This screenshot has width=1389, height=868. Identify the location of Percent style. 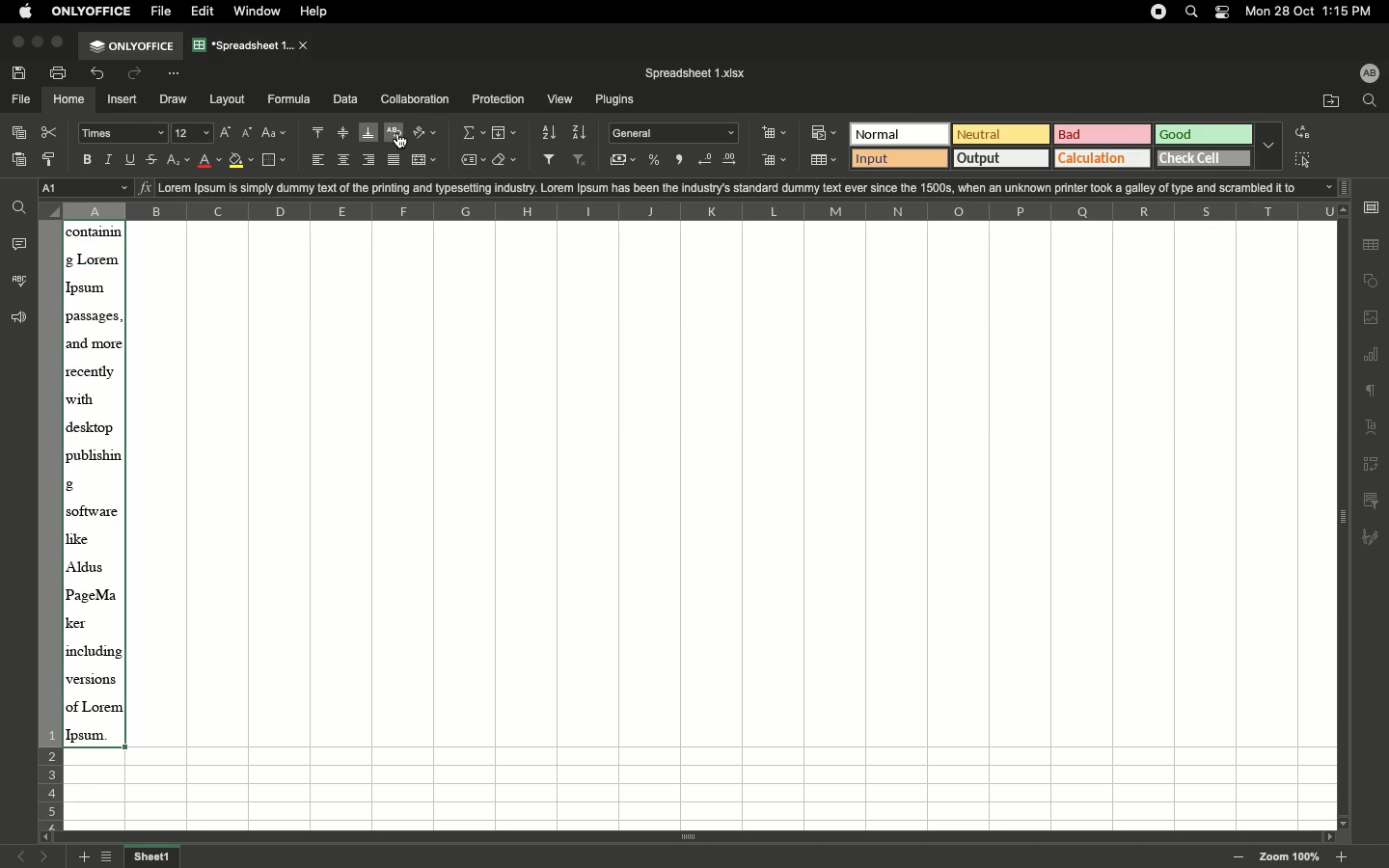
(656, 161).